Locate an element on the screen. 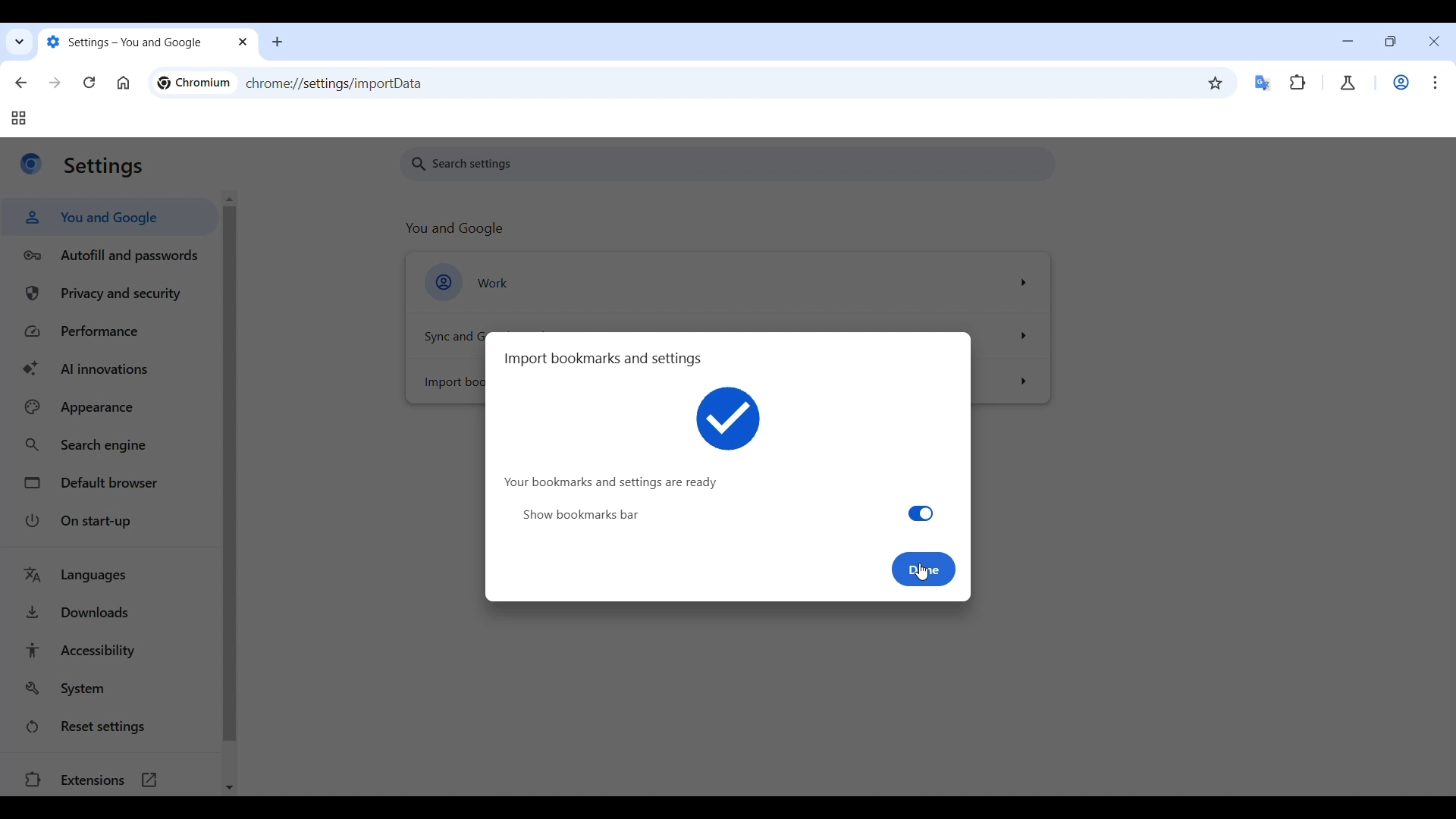  Go forward is located at coordinates (55, 82).